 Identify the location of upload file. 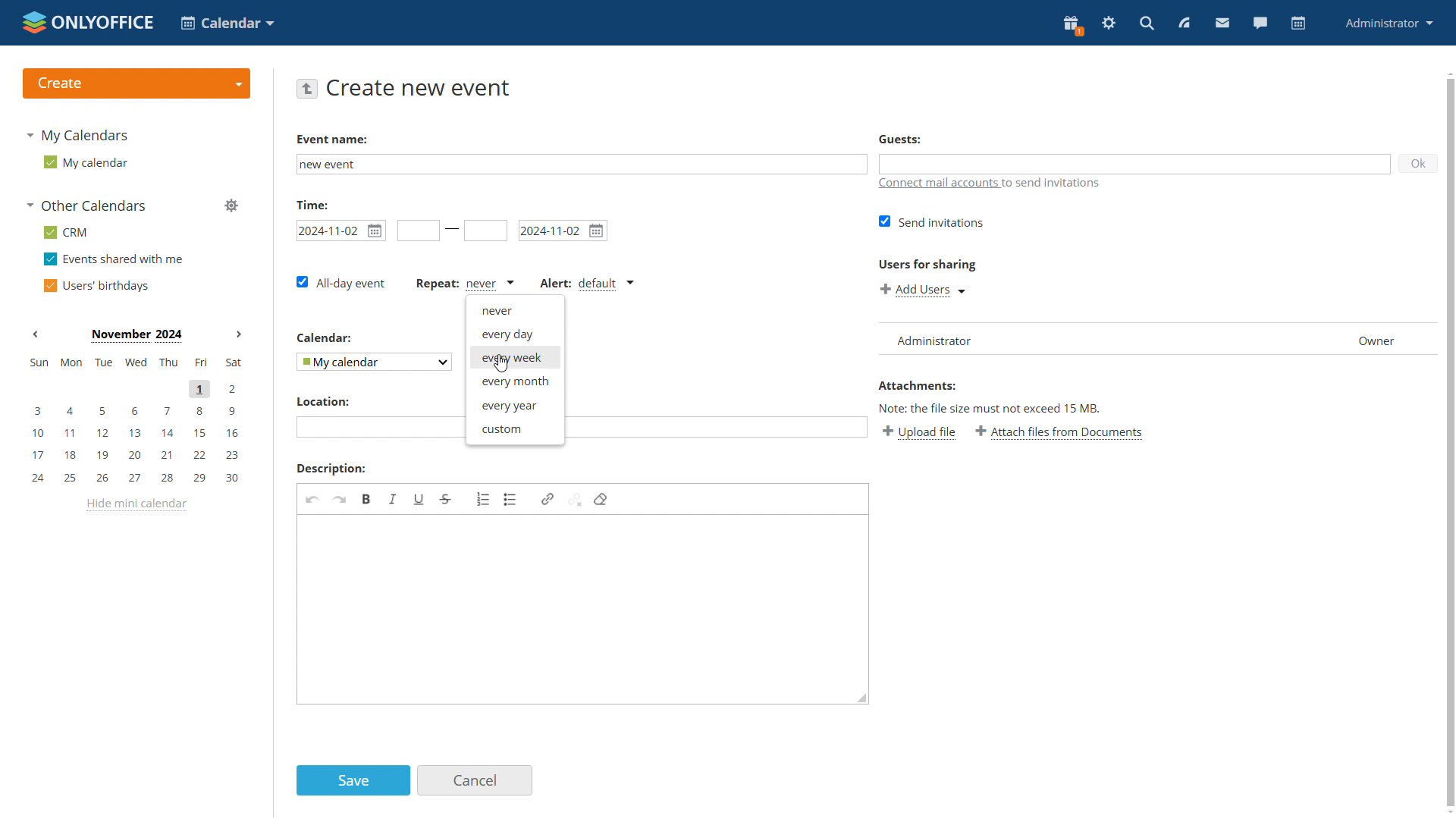
(921, 434).